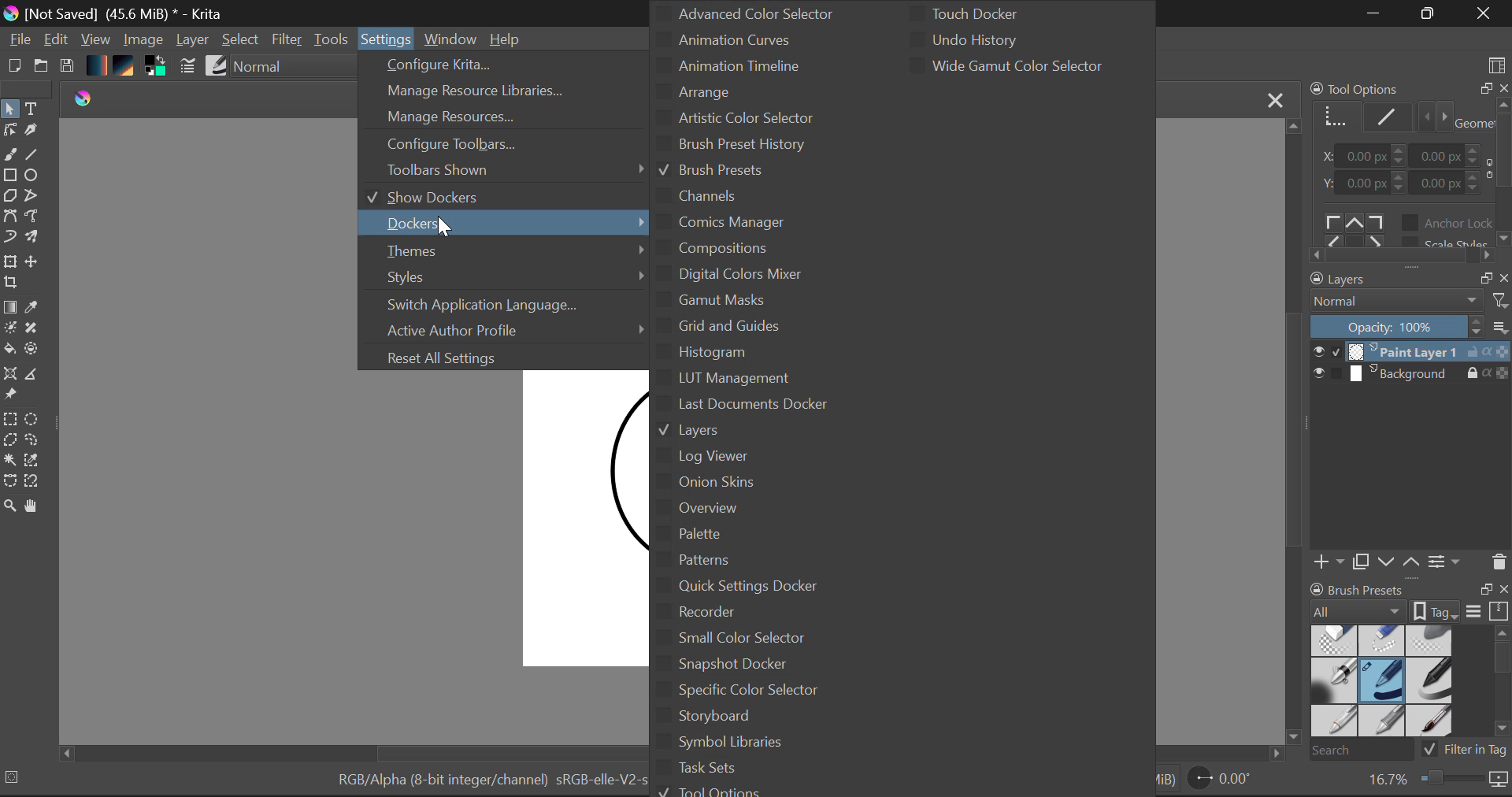 The image size is (1512, 797). Describe the element at coordinates (1407, 749) in the screenshot. I see `Brush Presets Search` at that location.